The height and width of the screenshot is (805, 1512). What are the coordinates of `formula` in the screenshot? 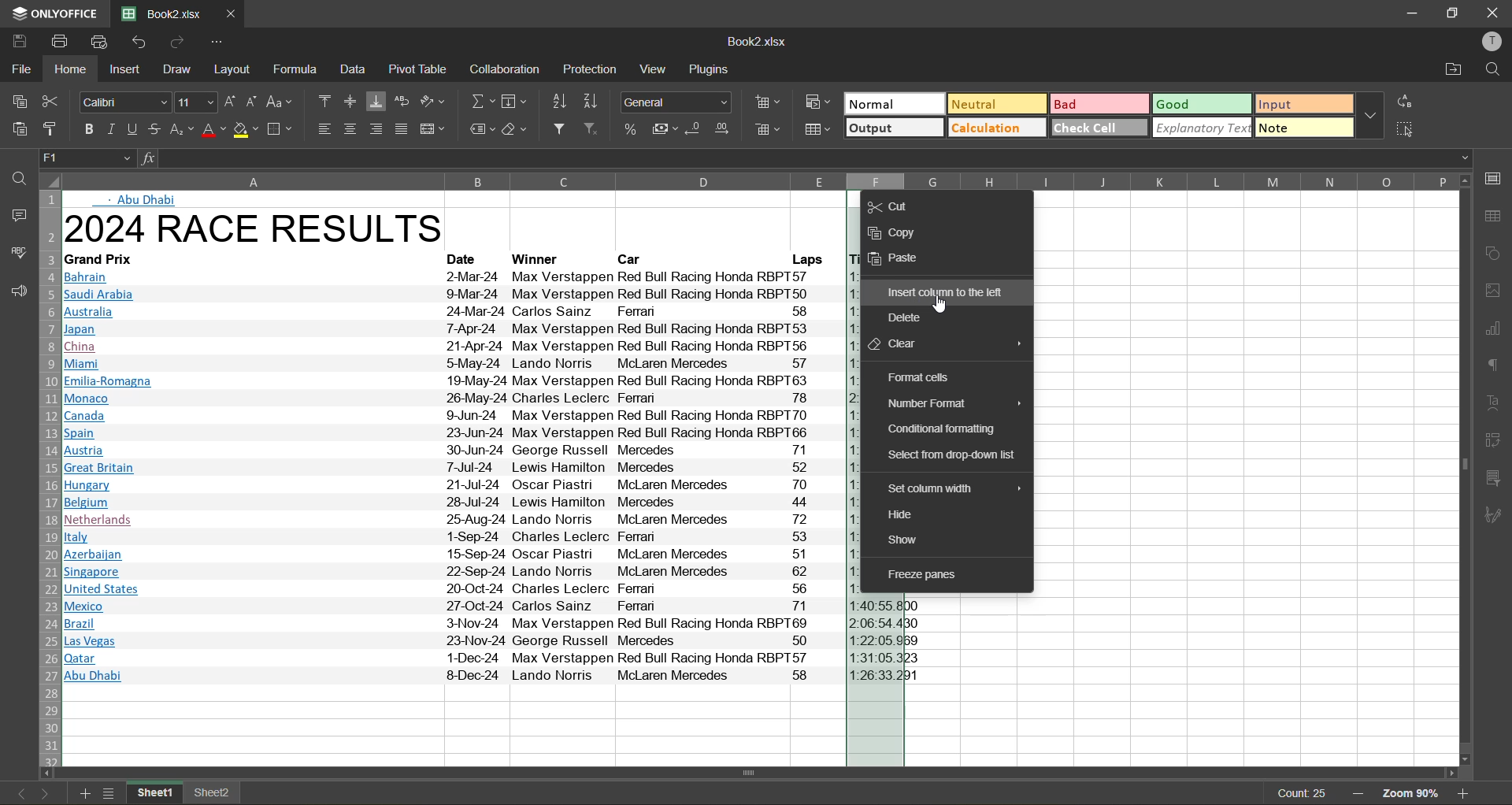 It's located at (297, 70).